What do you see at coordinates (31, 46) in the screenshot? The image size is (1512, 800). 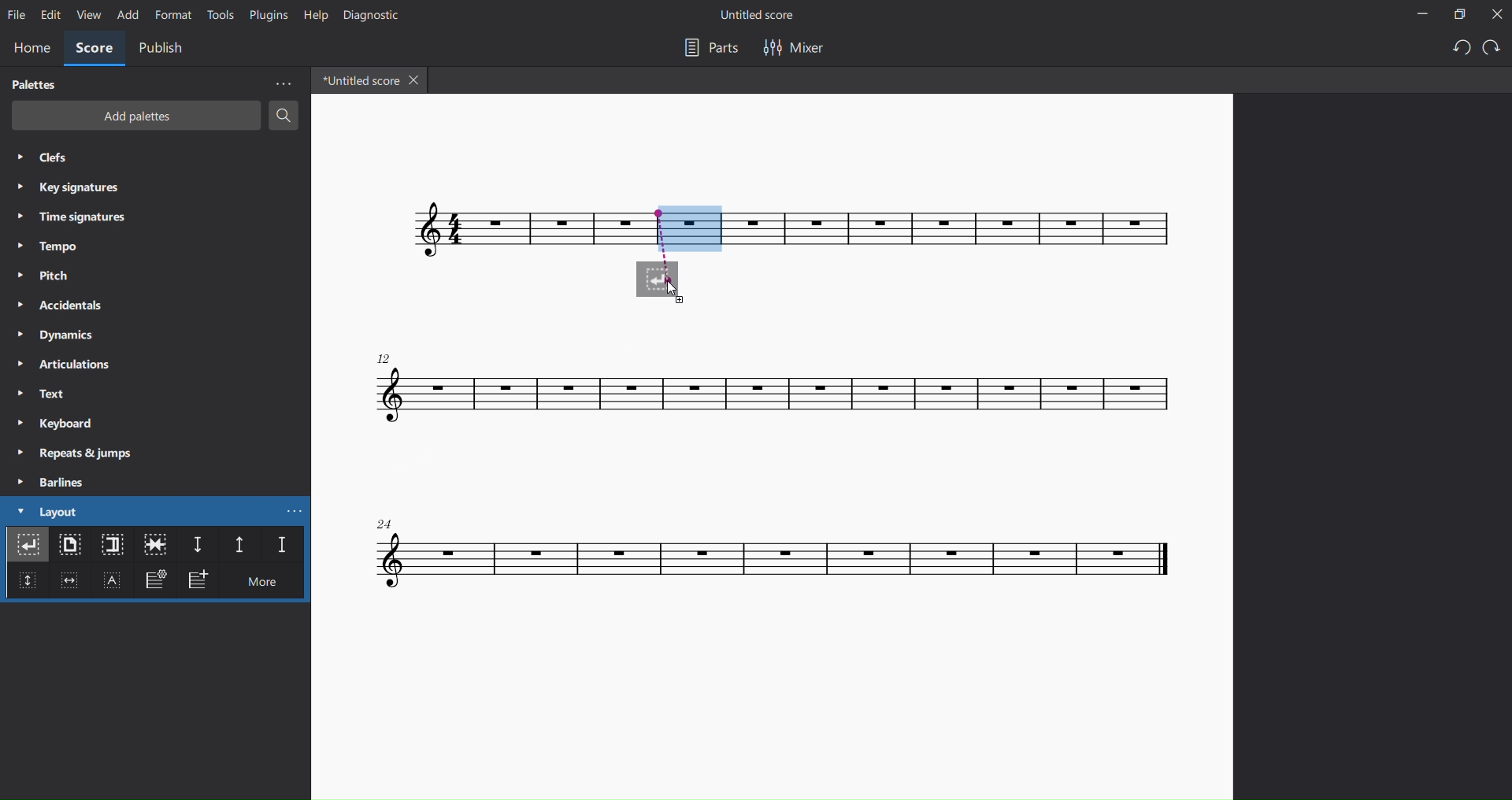 I see `home` at bounding box center [31, 46].